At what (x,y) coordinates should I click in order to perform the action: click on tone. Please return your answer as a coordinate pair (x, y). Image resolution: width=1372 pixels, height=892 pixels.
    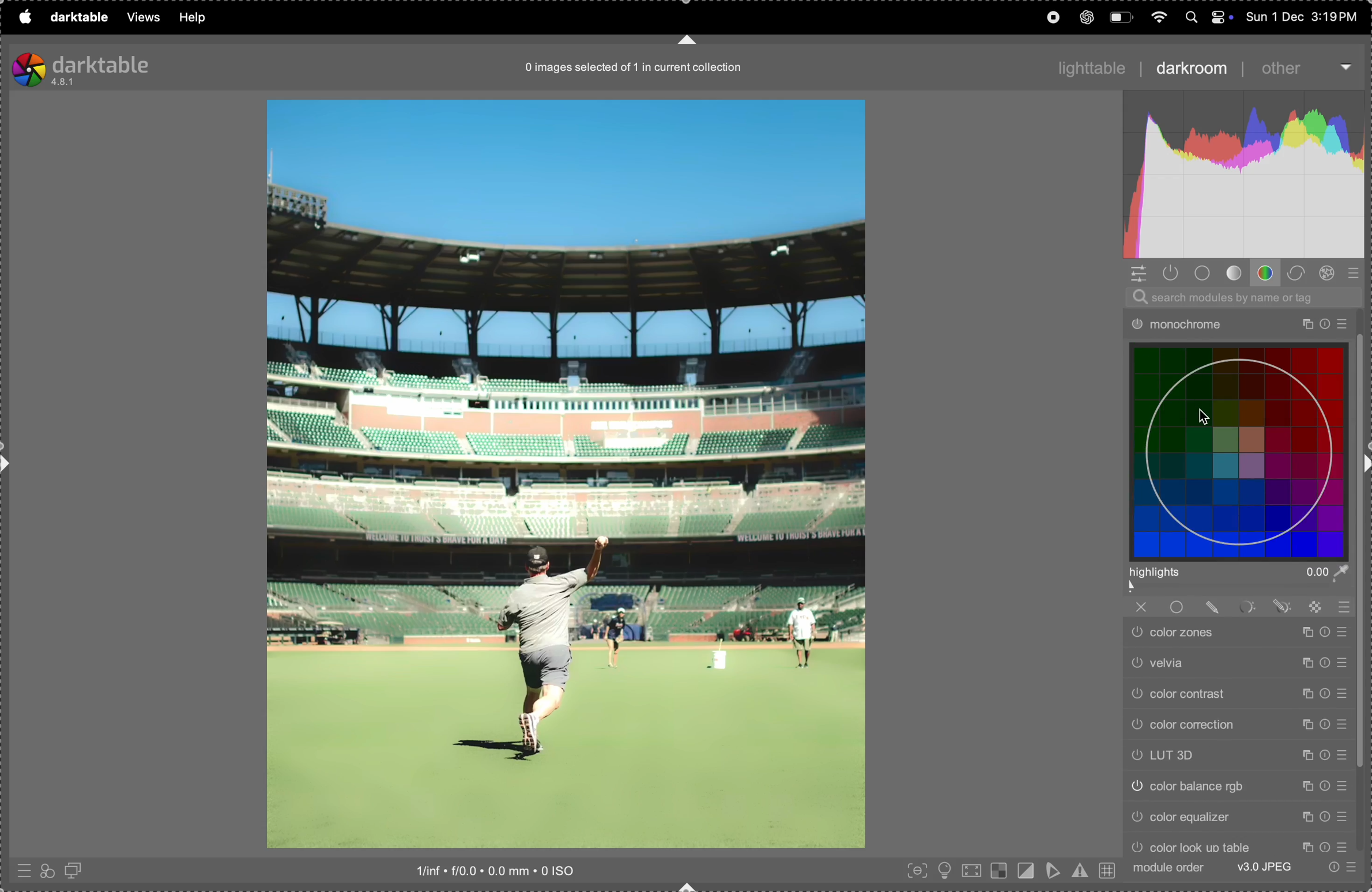
    Looking at the image, I should click on (1236, 273).